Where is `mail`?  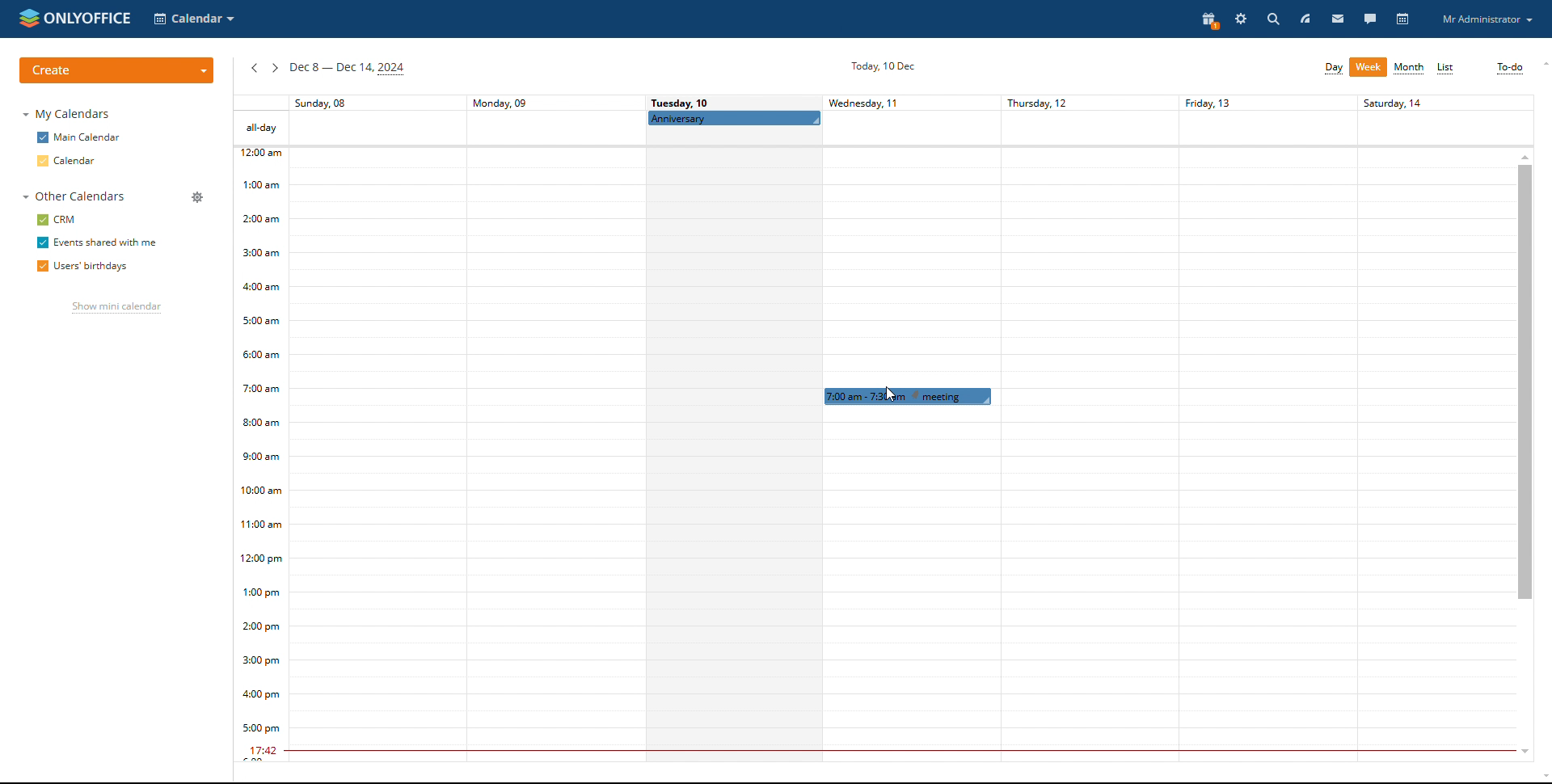
mail is located at coordinates (1336, 19).